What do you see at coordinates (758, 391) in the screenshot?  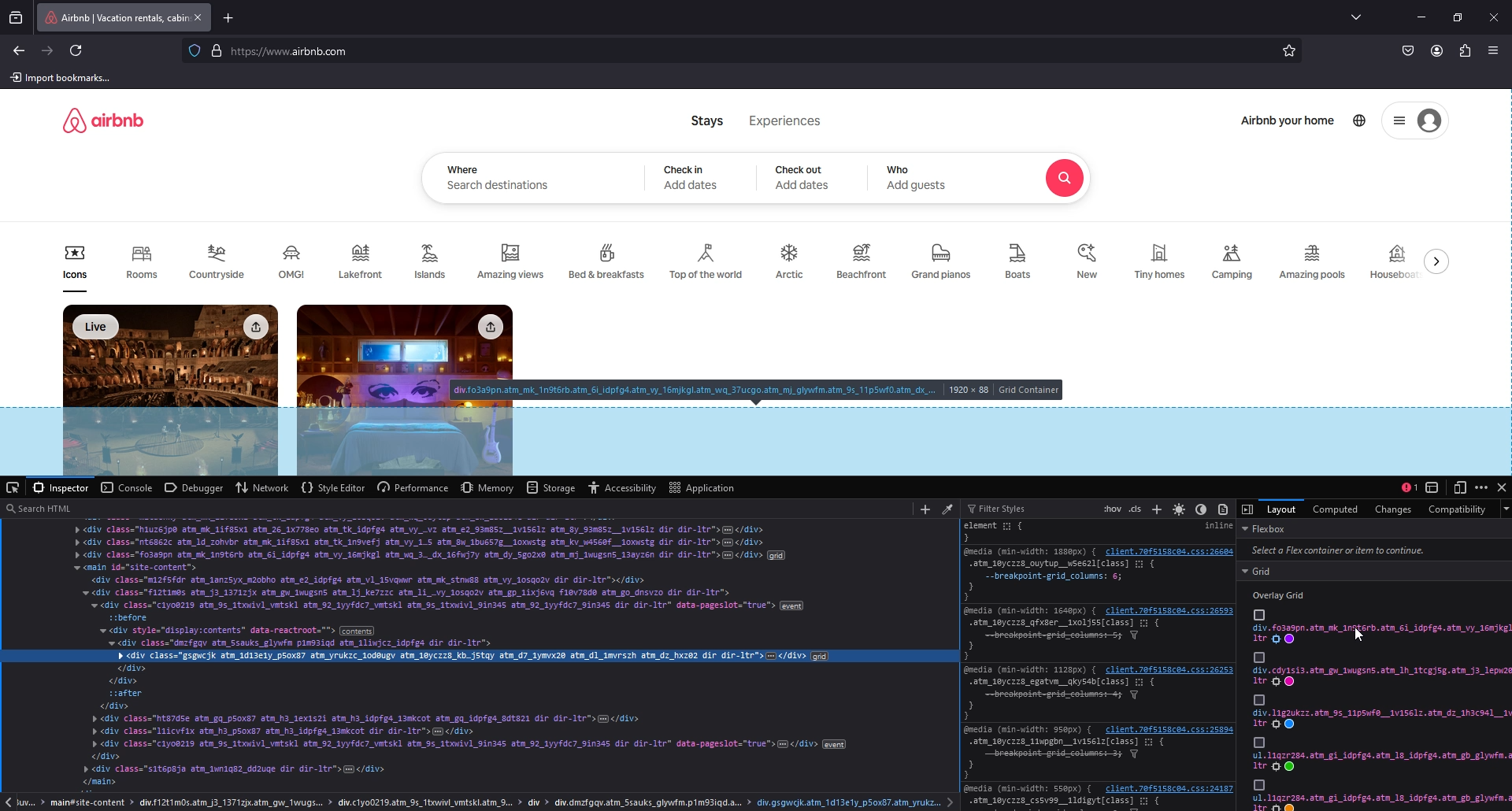 I see `description` at bounding box center [758, 391].